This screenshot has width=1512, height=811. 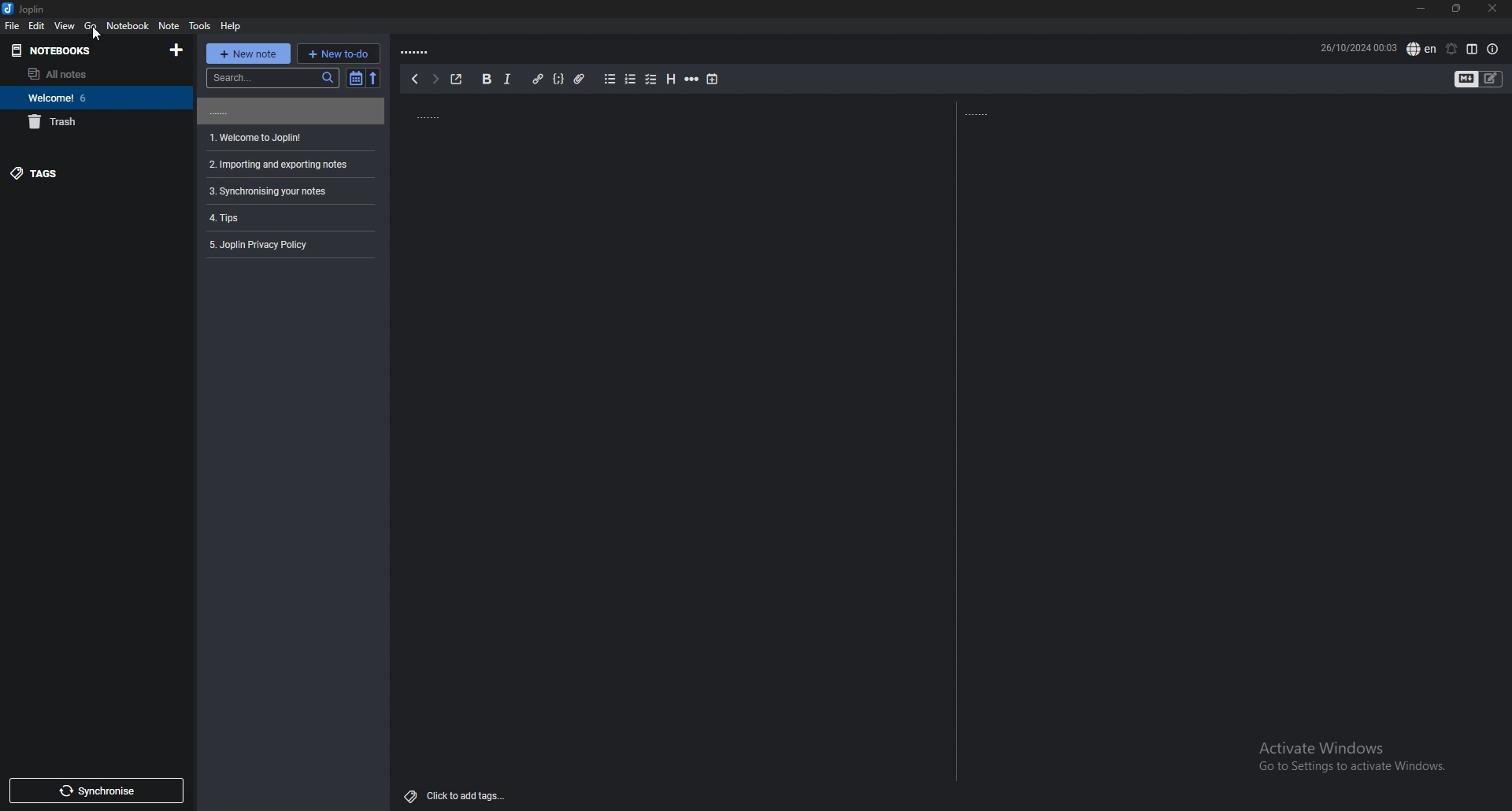 I want to click on toggle sort order field, so click(x=355, y=78).